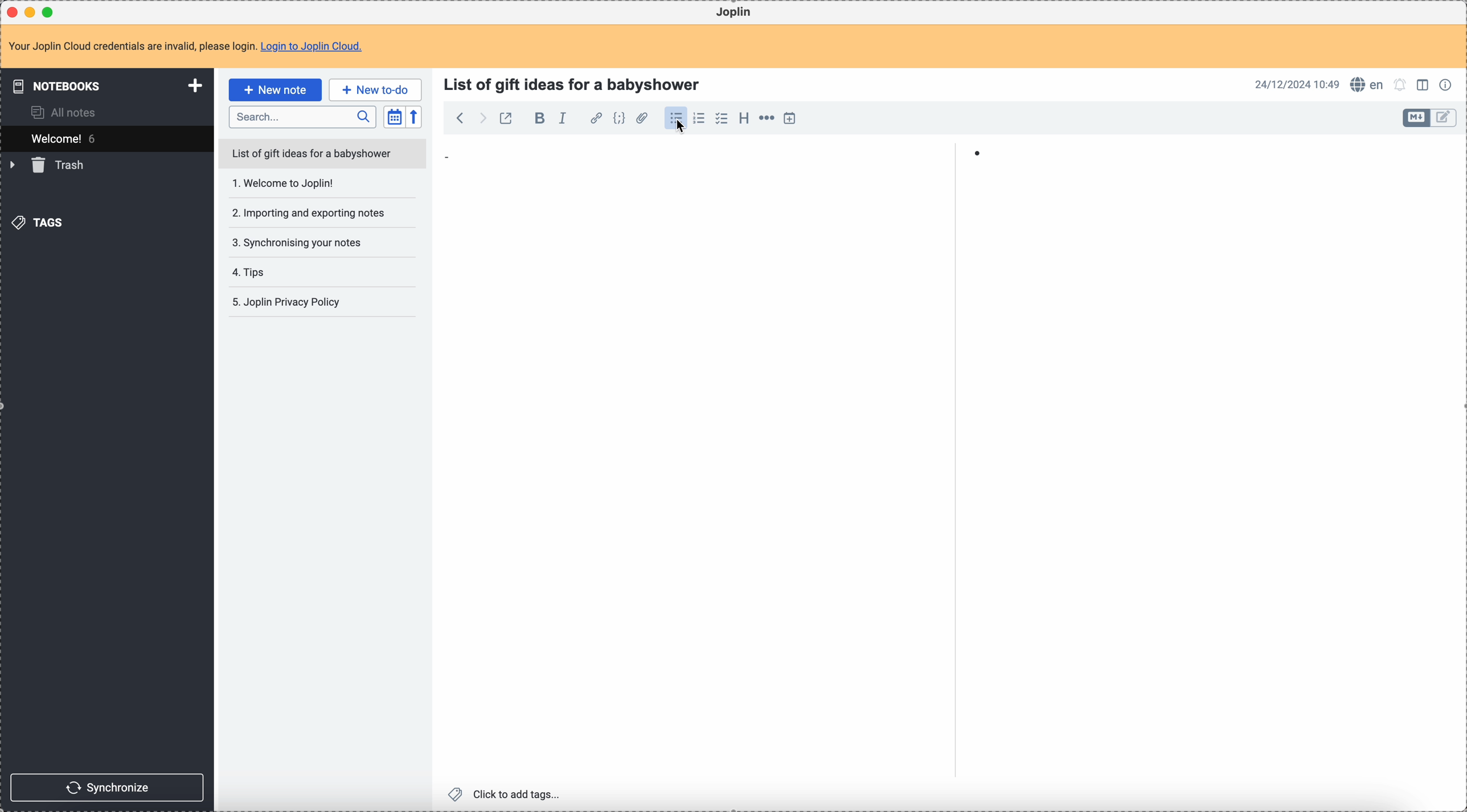  What do you see at coordinates (1444, 118) in the screenshot?
I see `toggle edit layout` at bounding box center [1444, 118].